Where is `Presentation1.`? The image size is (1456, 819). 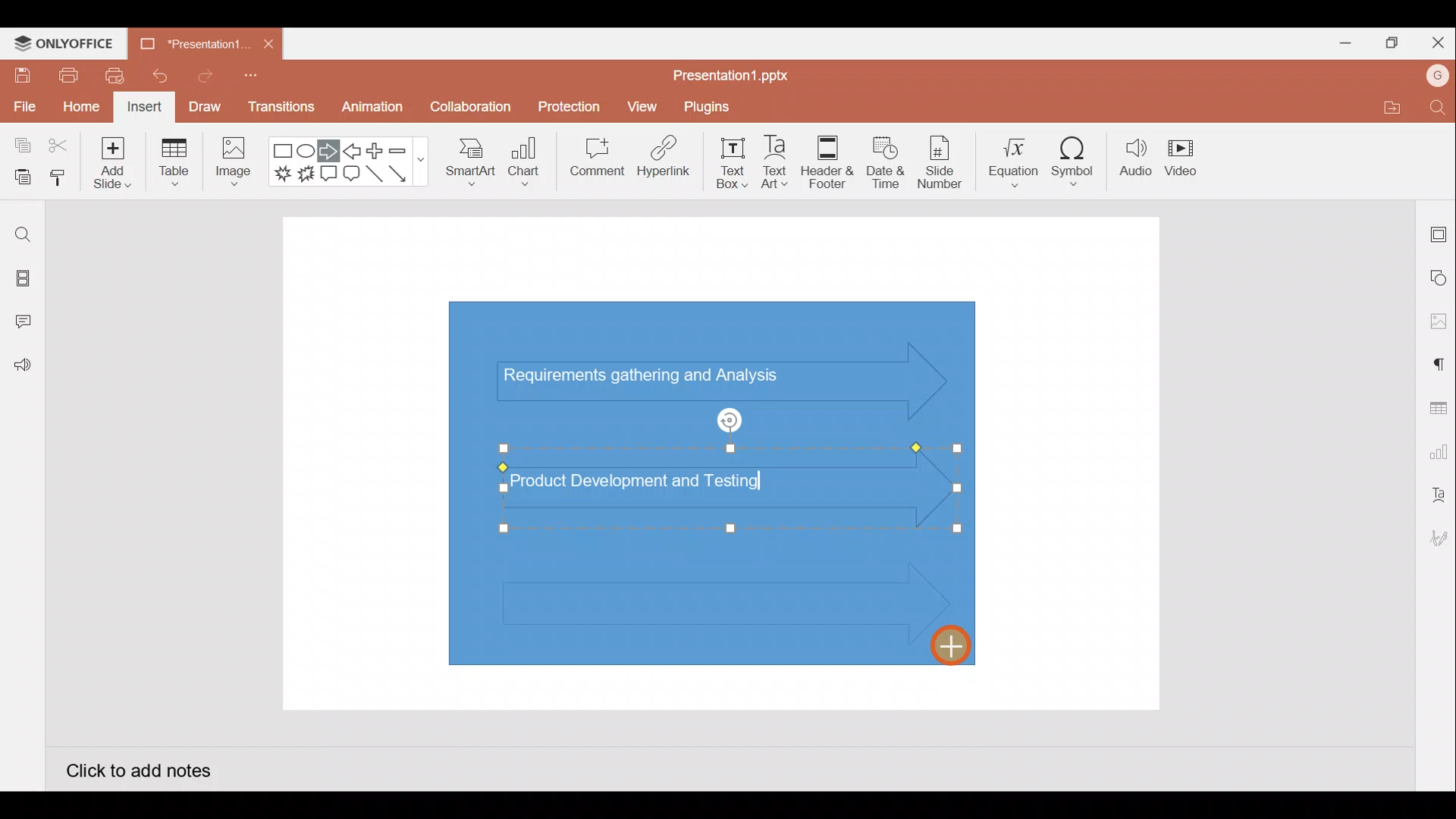
Presentation1. is located at coordinates (190, 39).